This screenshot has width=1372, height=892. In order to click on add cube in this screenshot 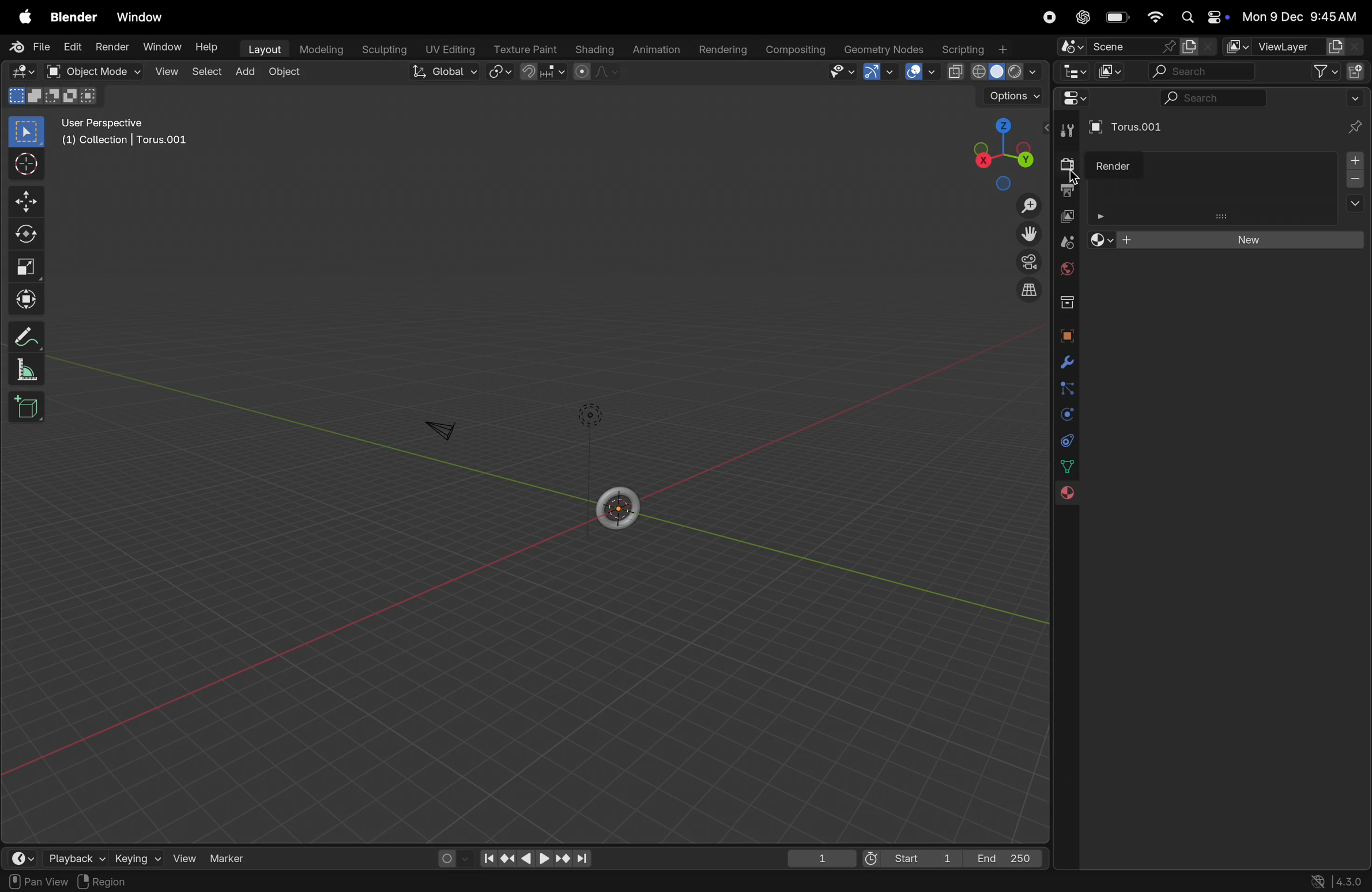, I will do `click(31, 409)`.